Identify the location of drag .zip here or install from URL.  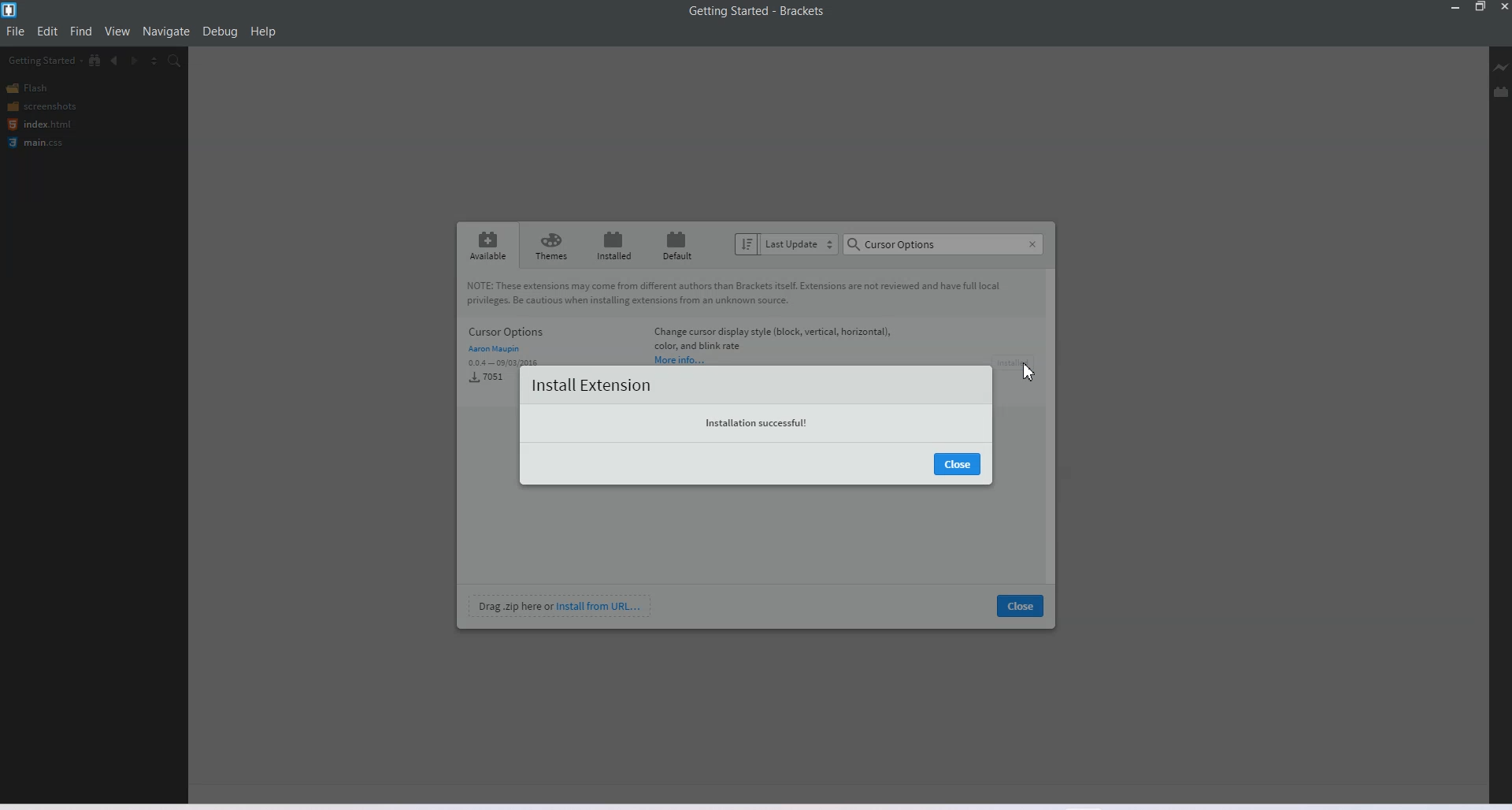
(560, 607).